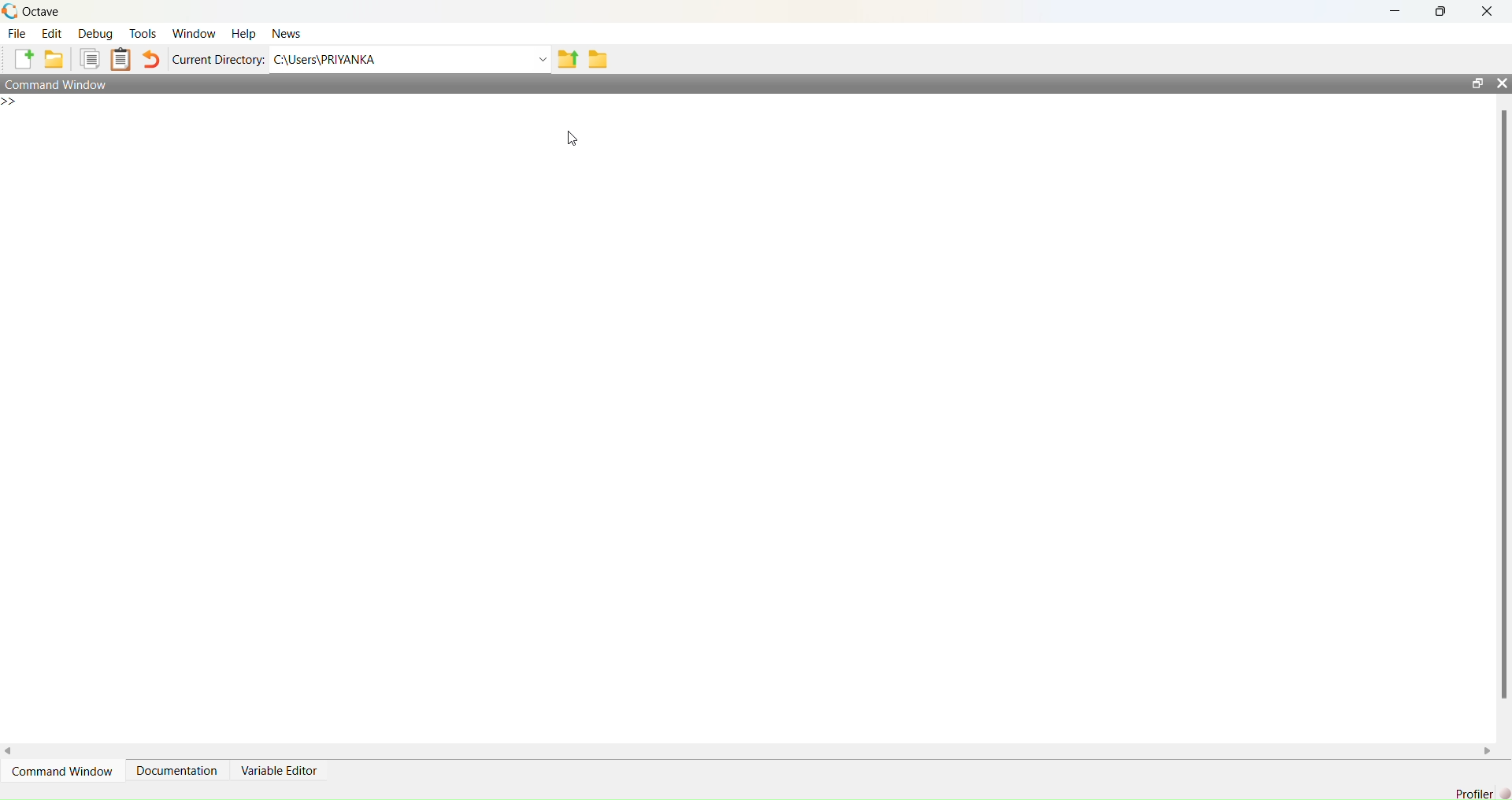 This screenshot has width=1512, height=800. What do you see at coordinates (326, 59) in the screenshot?
I see `C:\Users\PRIYANKA` at bounding box center [326, 59].